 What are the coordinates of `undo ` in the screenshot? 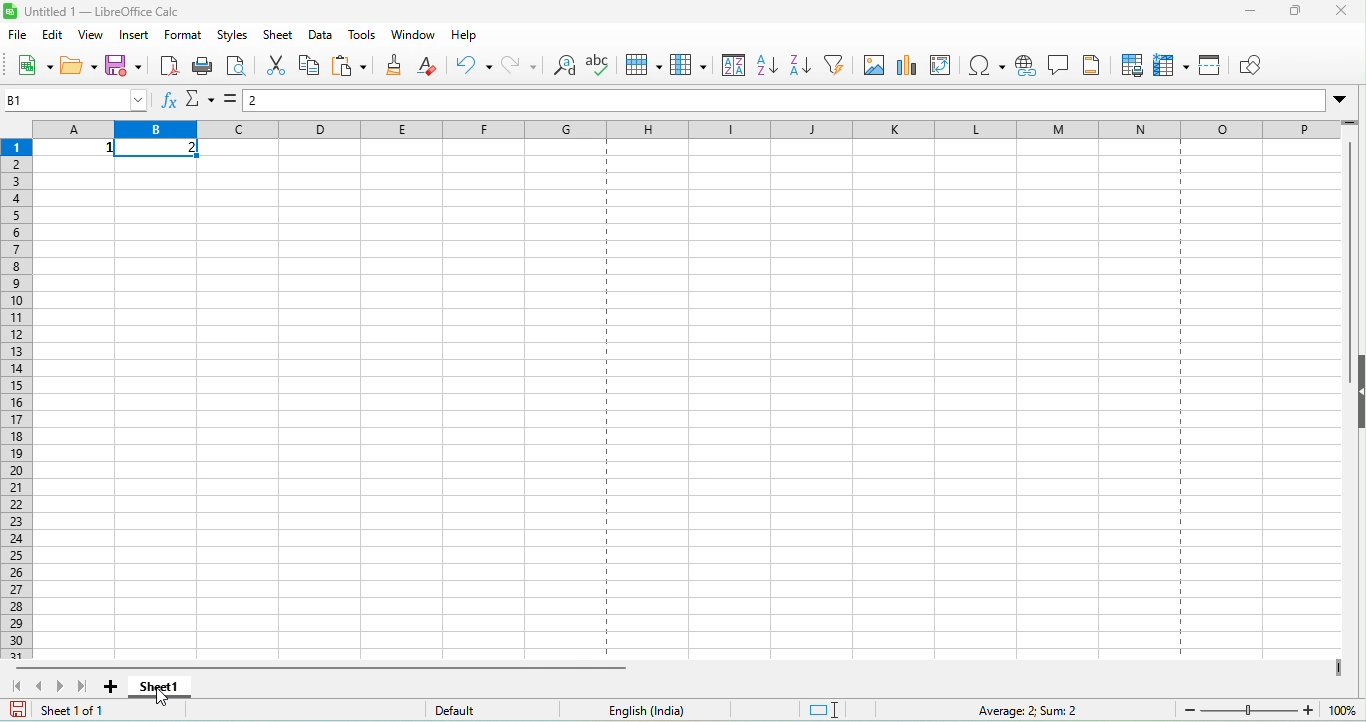 It's located at (473, 67).